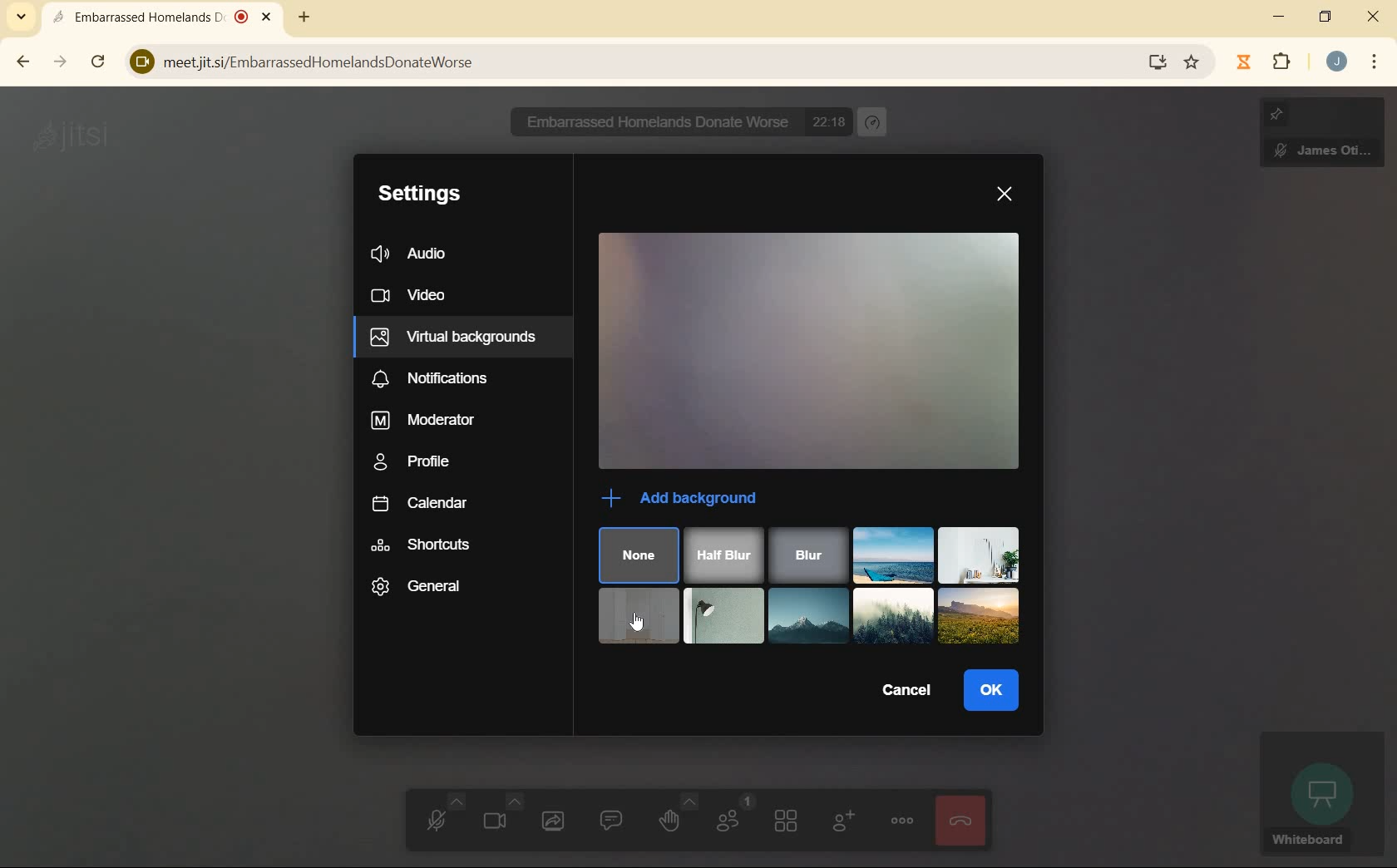 The image size is (1397, 868). I want to click on sunrise, so click(978, 617).